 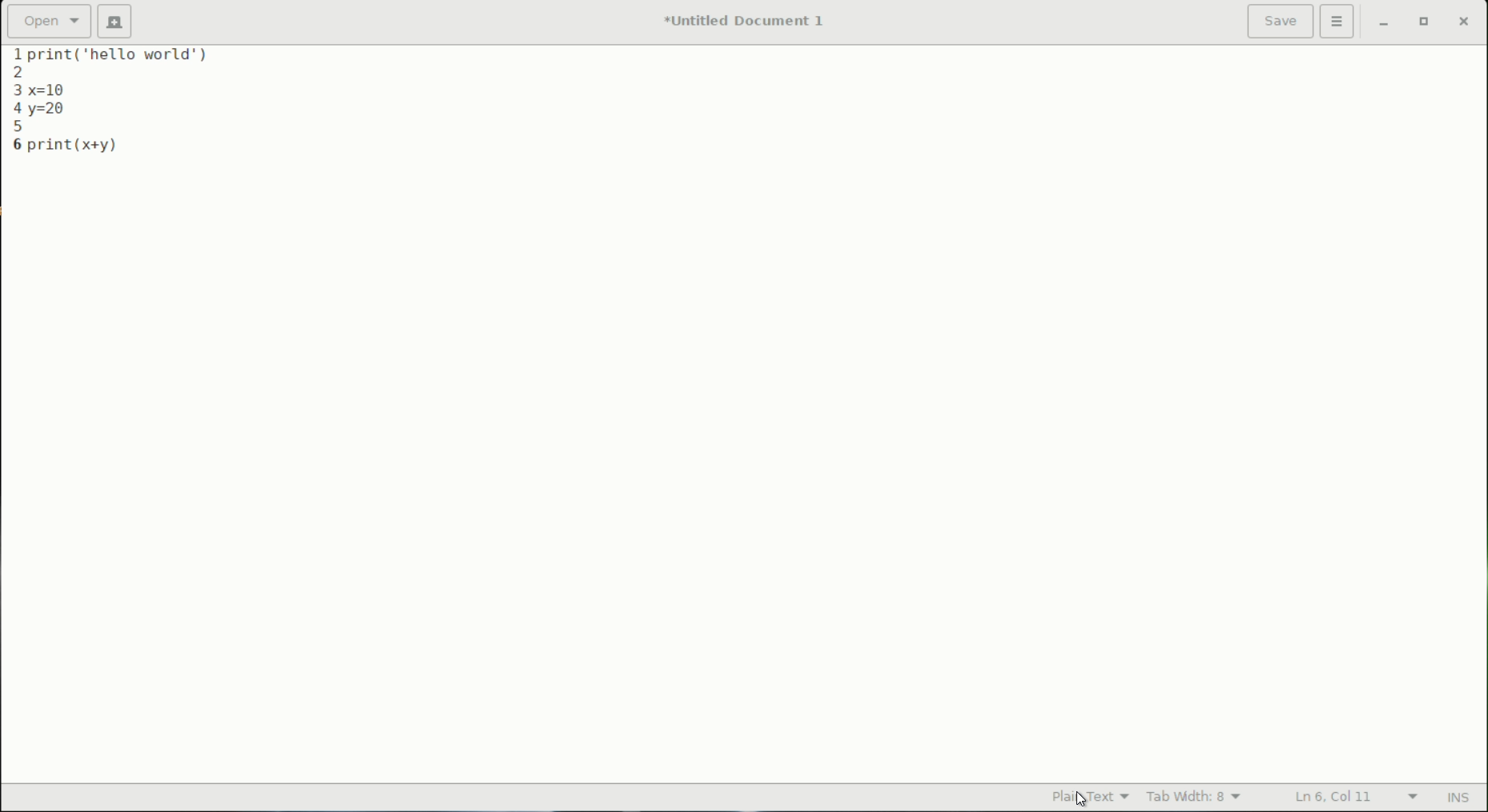 What do you see at coordinates (82, 143) in the screenshot?
I see `print x + z` at bounding box center [82, 143].